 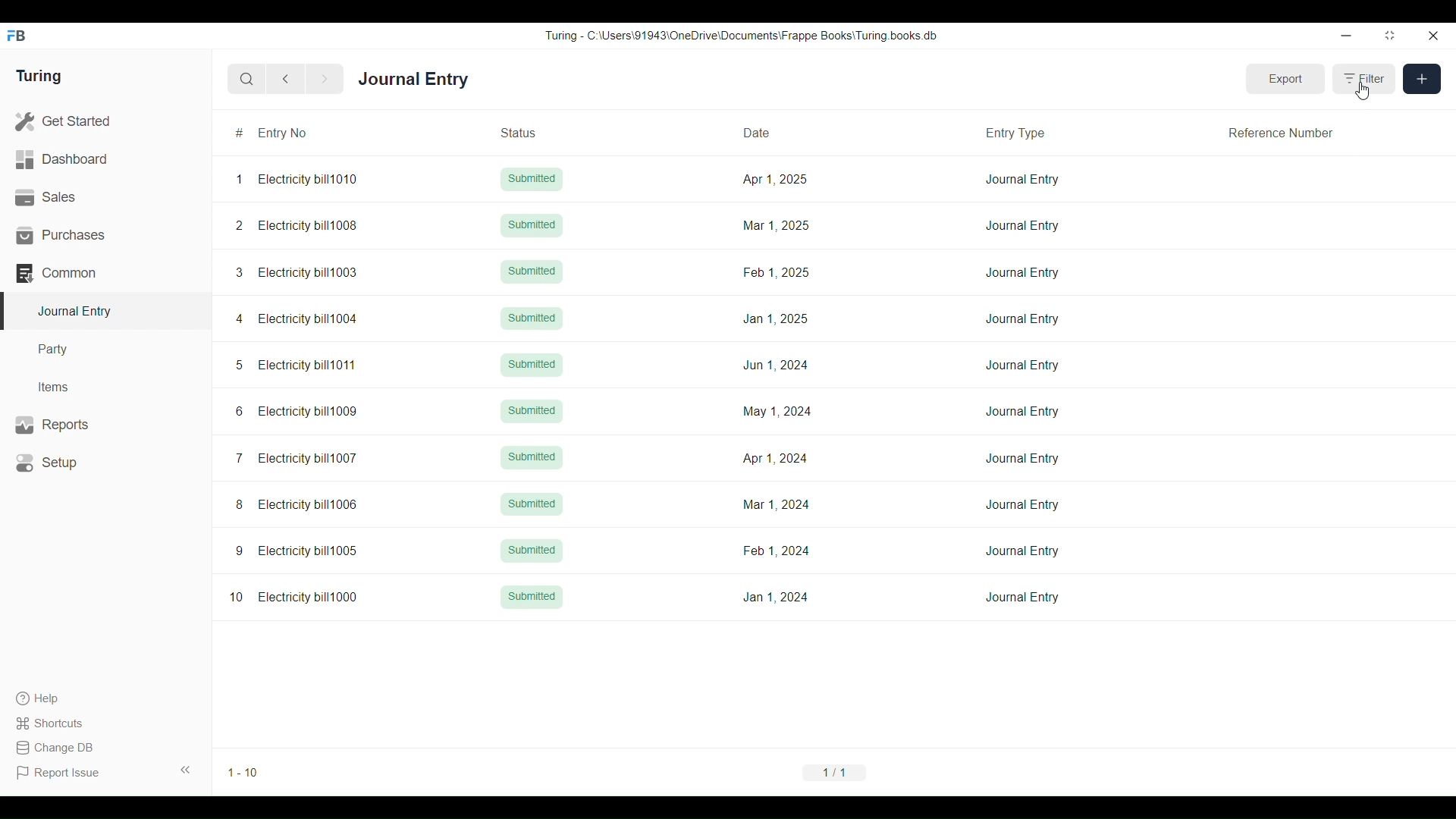 I want to click on Jun 1, 2024, so click(x=776, y=365).